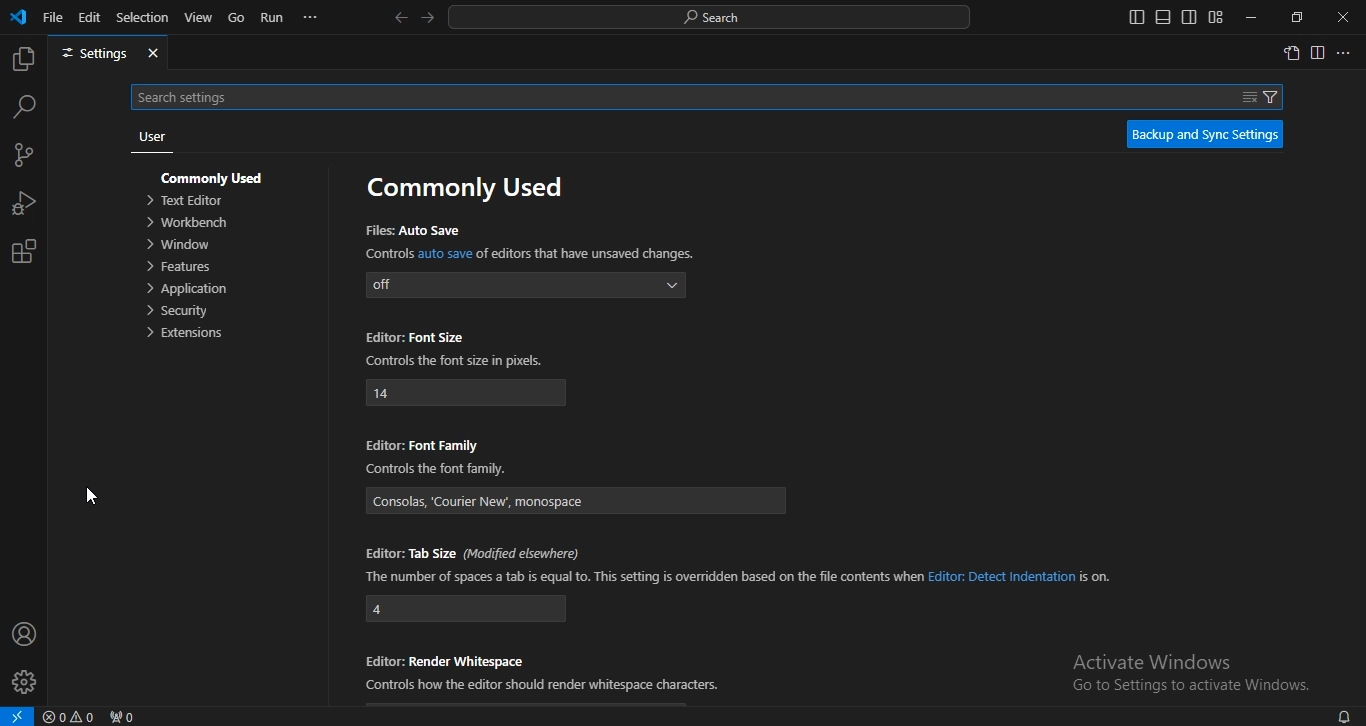  What do you see at coordinates (464, 187) in the screenshot?
I see `Commonly Used` at bounding box center [464, 187].